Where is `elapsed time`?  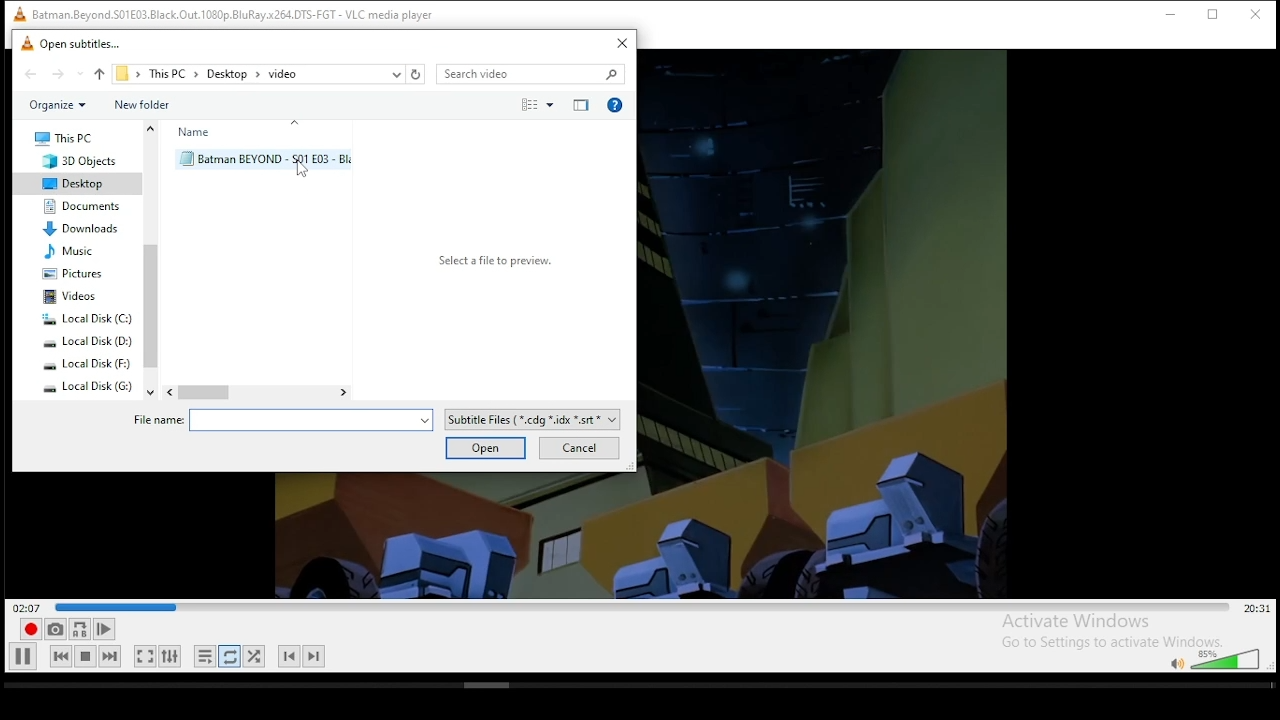
elapsed time is located at coordinates (26, 606).